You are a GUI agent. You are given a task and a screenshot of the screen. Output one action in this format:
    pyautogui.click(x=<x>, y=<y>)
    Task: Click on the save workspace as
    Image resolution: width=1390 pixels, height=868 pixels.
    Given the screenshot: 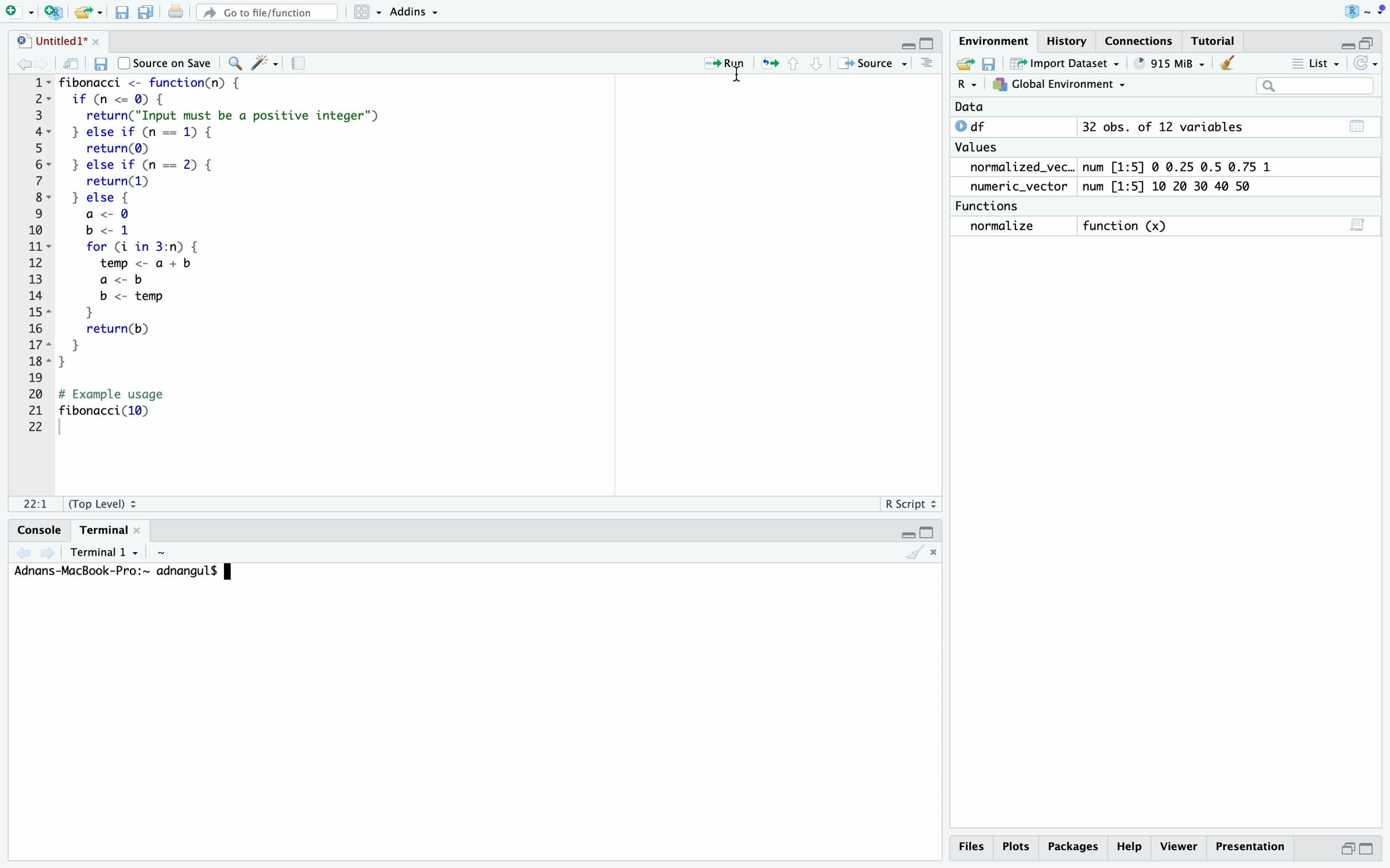 What is the action you would take?
    pyautogui.click(x=993, y=64)
    